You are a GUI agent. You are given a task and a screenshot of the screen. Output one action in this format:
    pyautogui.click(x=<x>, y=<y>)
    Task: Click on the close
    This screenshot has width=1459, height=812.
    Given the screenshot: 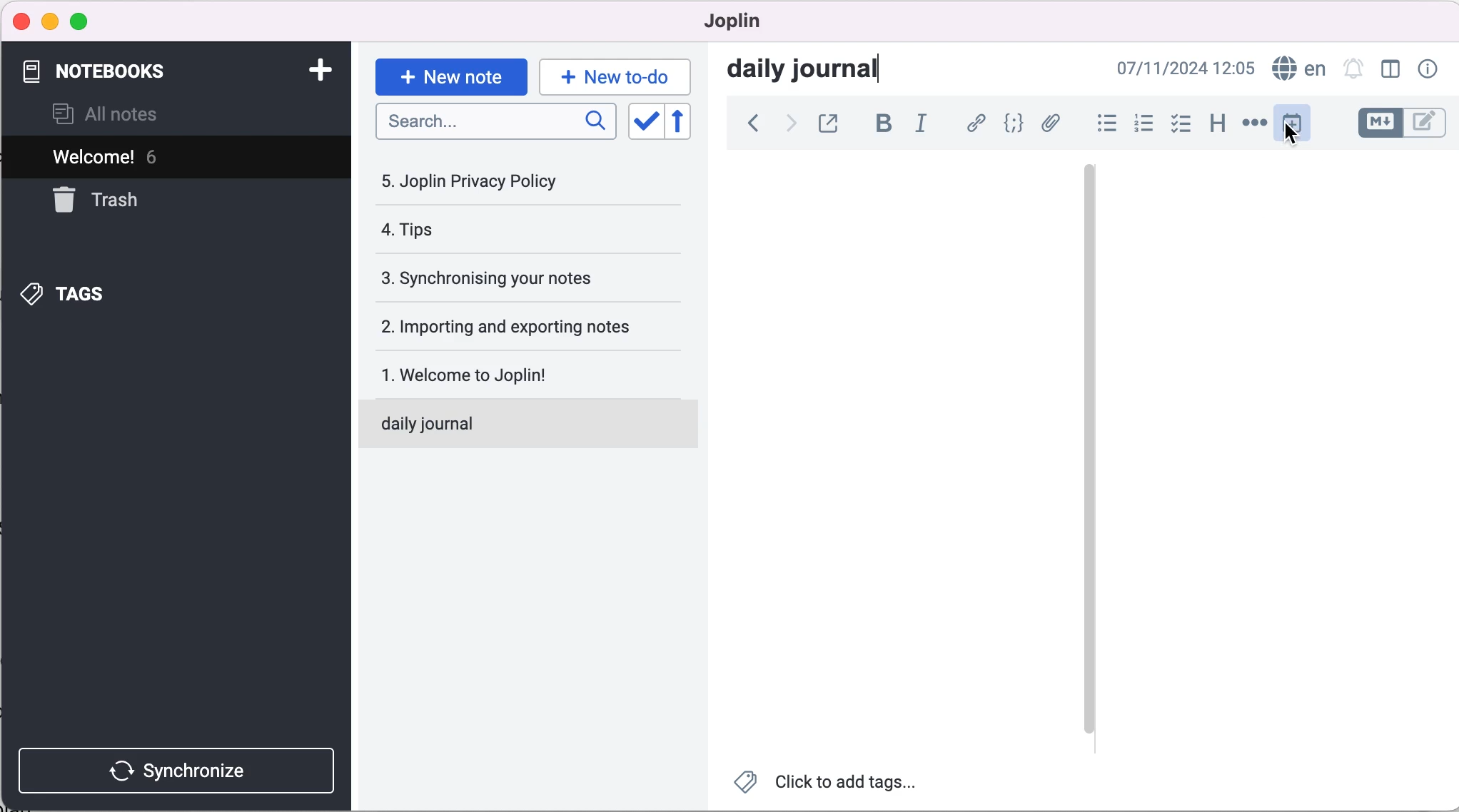 What is the action you would take?
    pyautogui.click(x=19, y=22)
    